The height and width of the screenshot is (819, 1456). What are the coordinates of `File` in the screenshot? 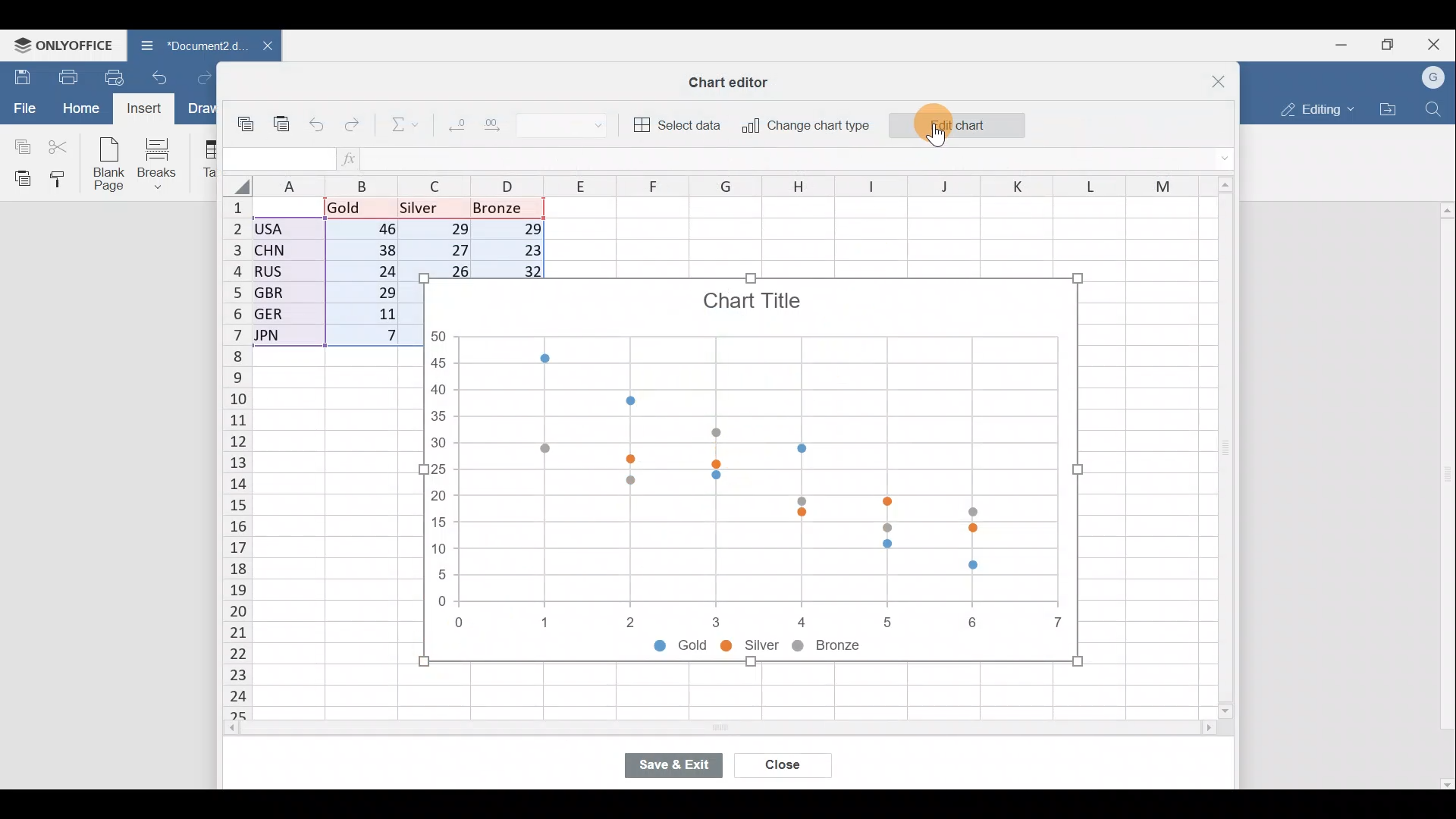 It's located at (22, 108).